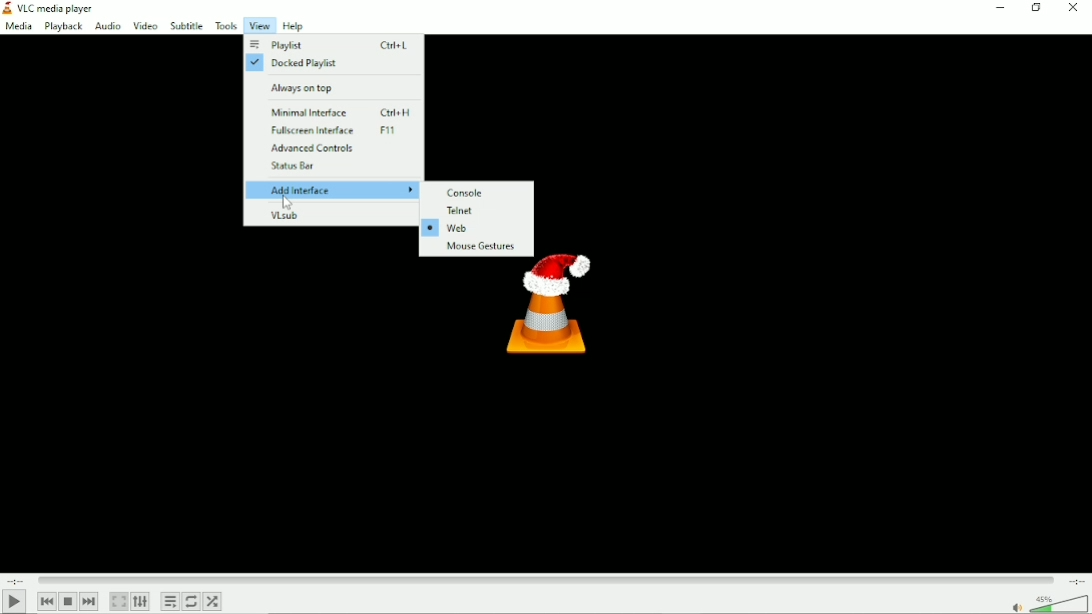  Describe the element at coordinates (289, 205) in the screenshot. I see `Cursor` at that location.